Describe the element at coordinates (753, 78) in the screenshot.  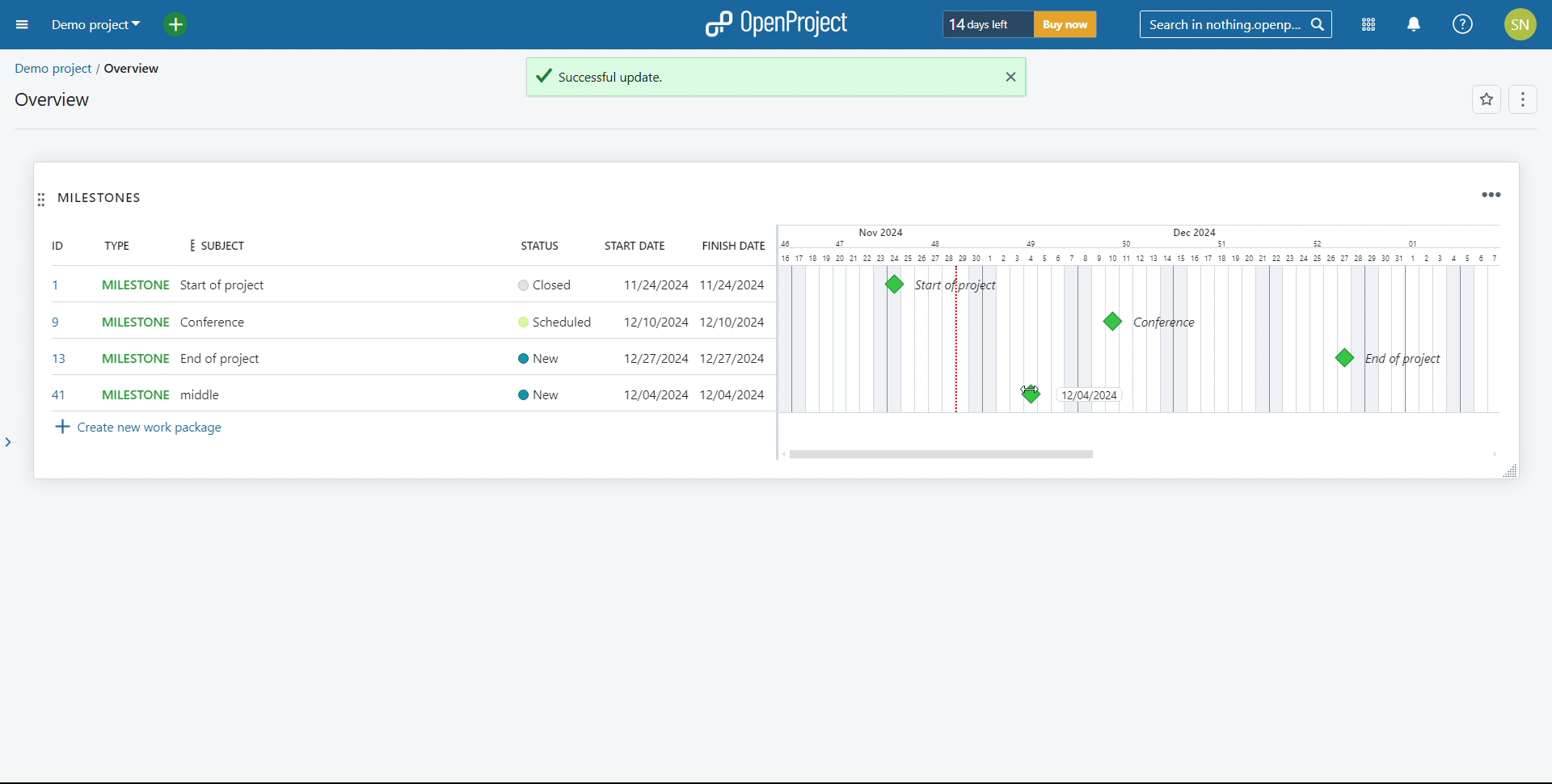
I see `reordering successful` at that location.